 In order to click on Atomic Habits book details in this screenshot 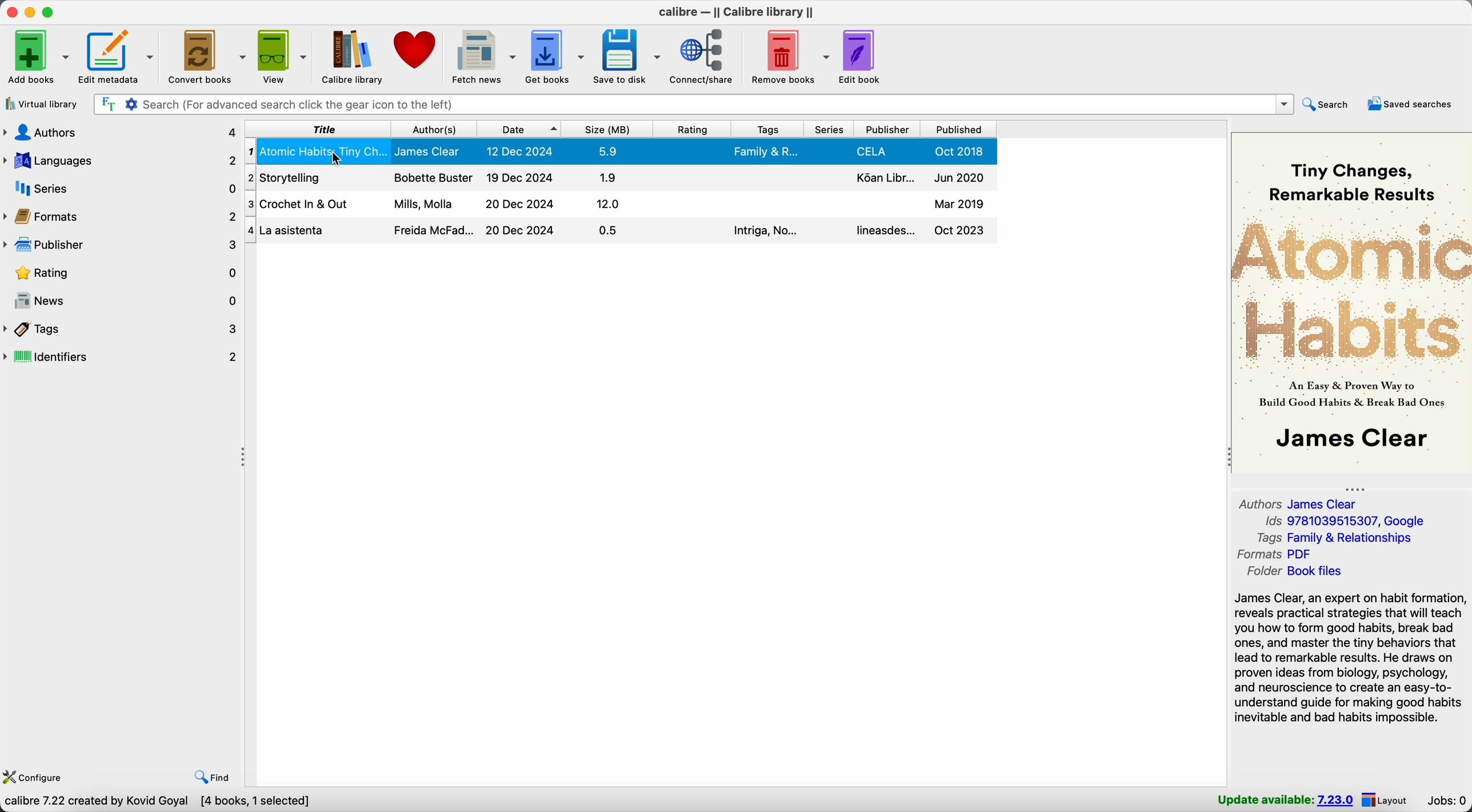, I will do `click(669, 151)`.